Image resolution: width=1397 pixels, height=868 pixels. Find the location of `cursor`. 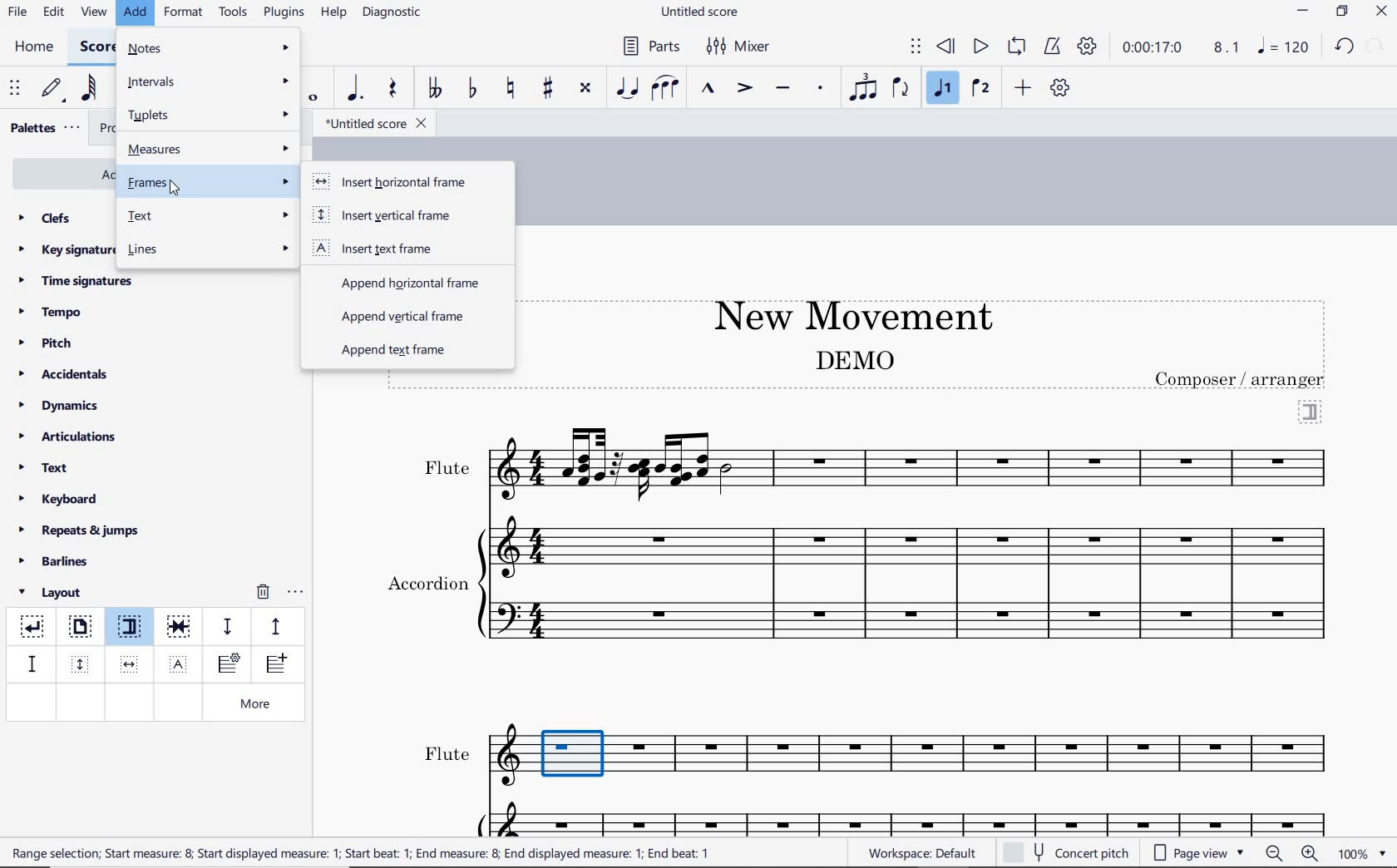

cursor is located at coordinates (176, 187).